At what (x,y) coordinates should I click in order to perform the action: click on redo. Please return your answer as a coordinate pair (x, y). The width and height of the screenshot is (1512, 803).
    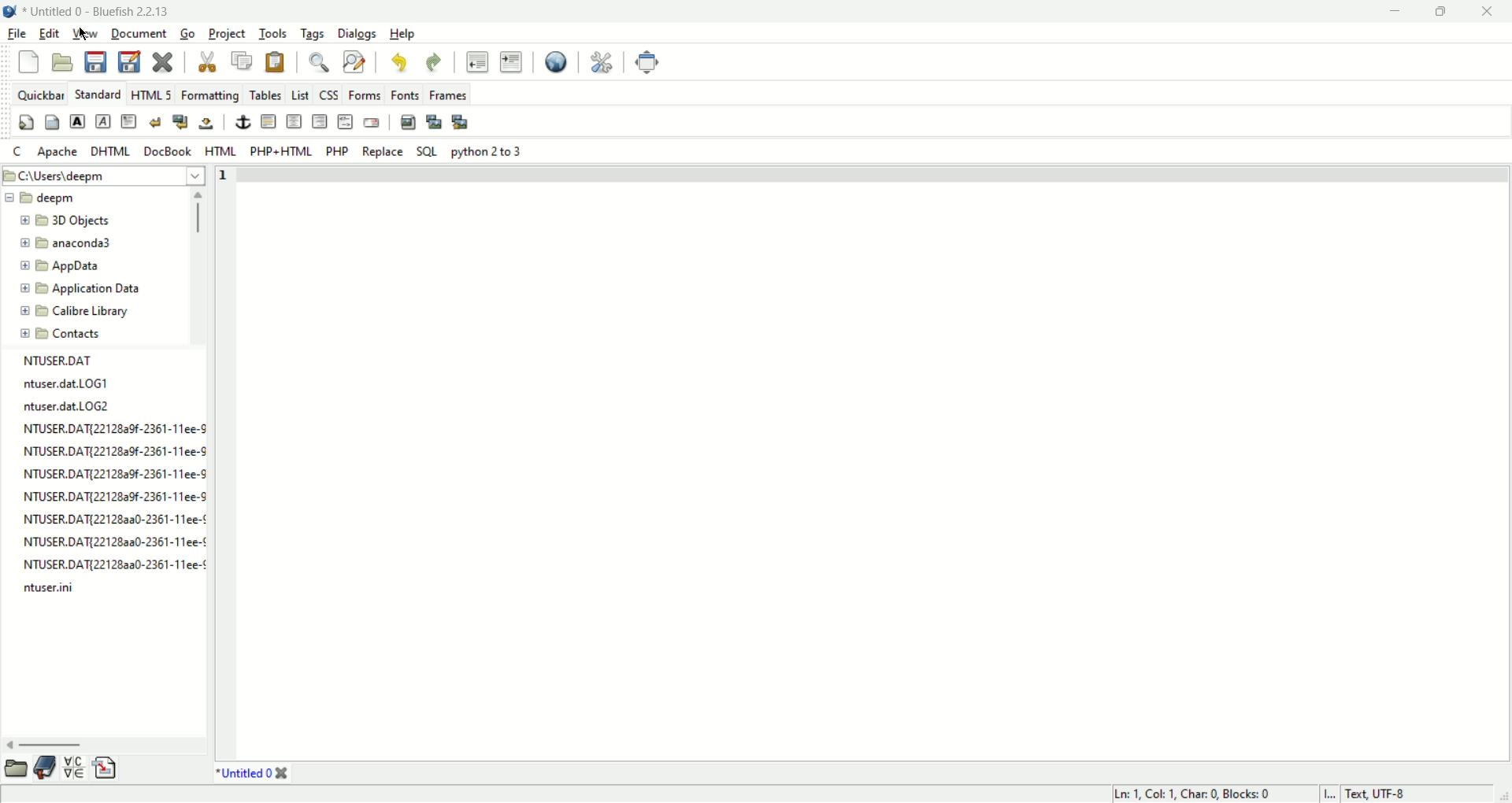
    Looking at the image, I should click on (435, 61).